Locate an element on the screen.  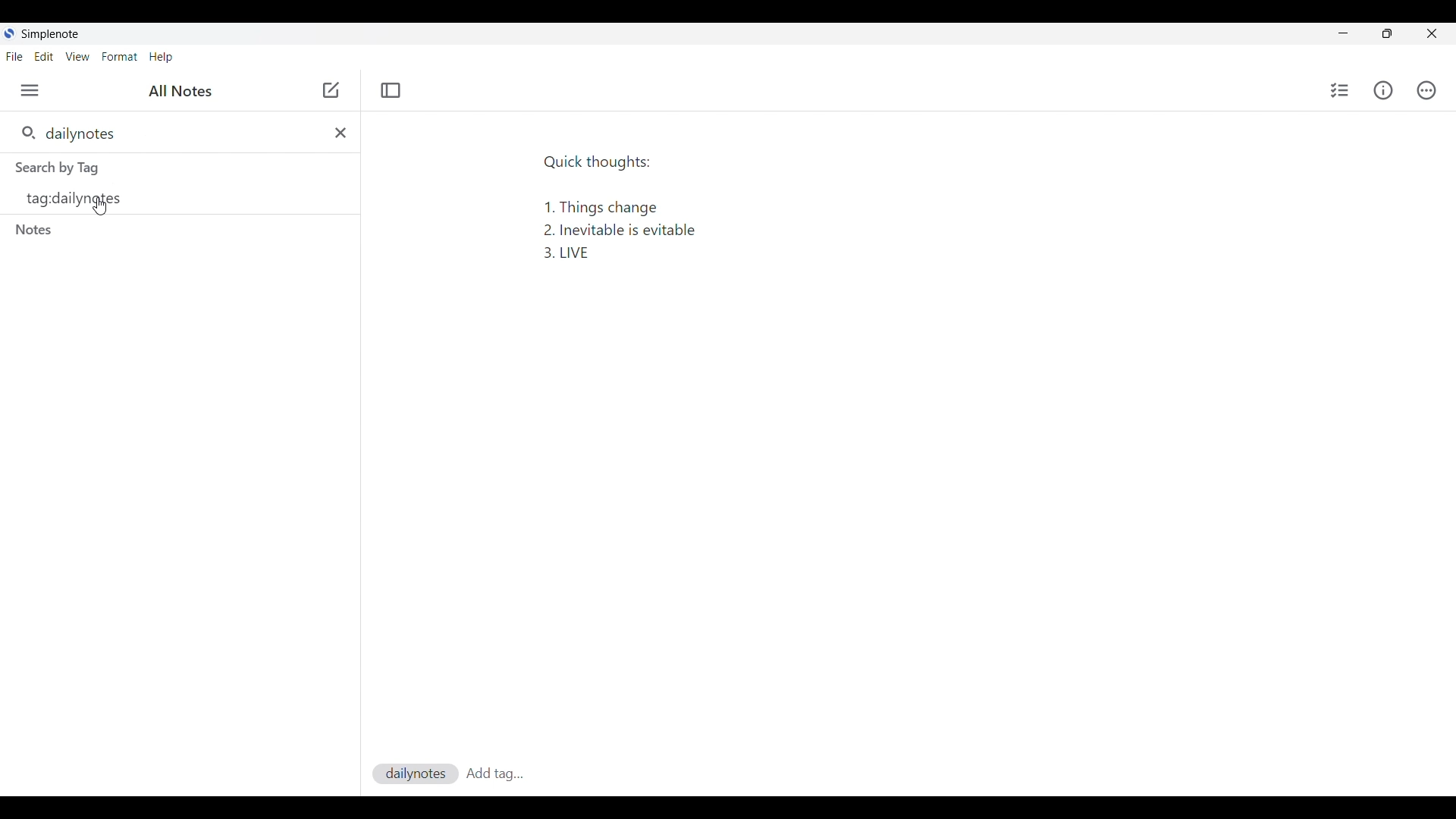
View menu is located at coordinates (77, 57).